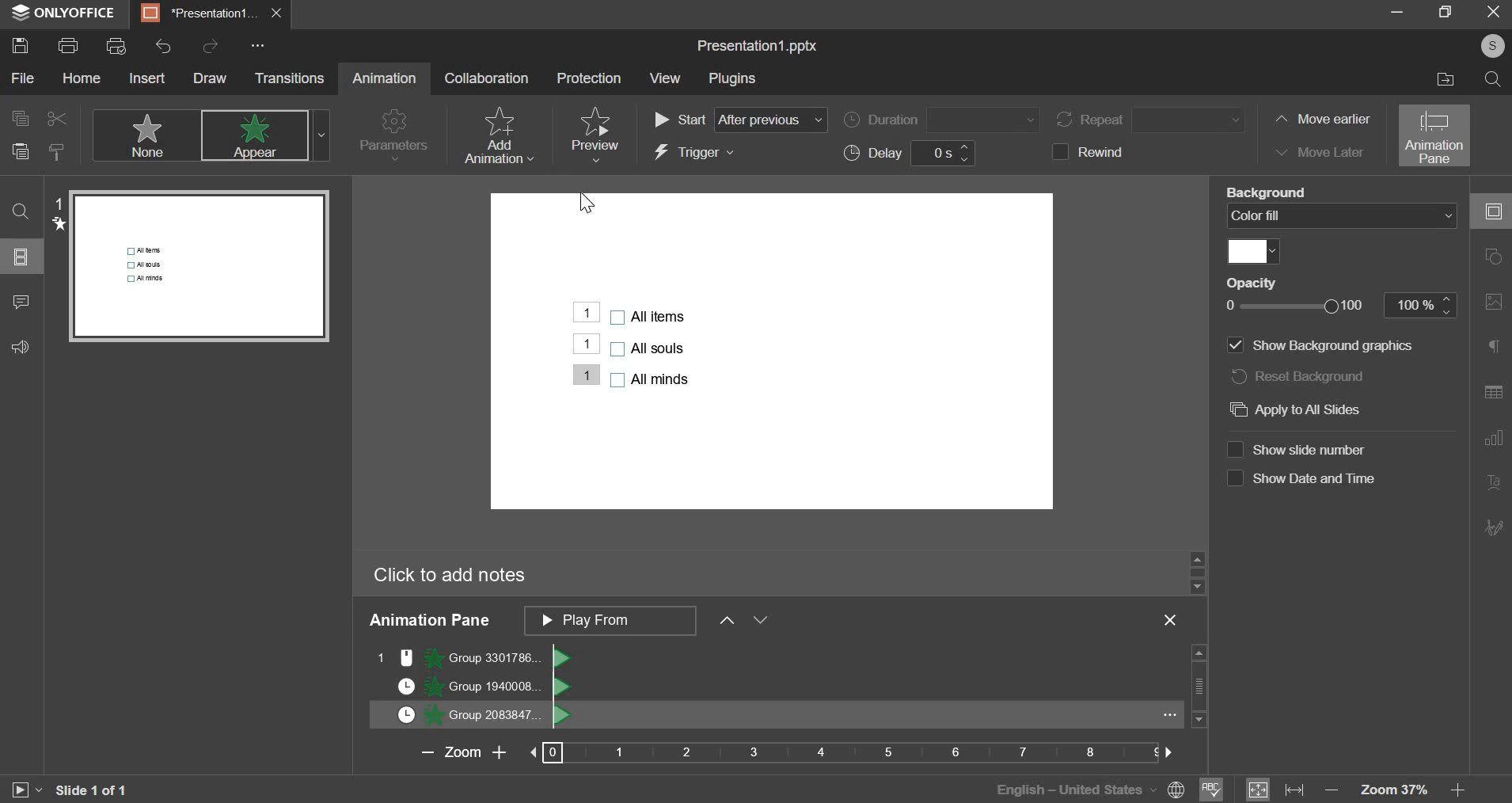  I want to click on show slide number, so click(1297, 450).